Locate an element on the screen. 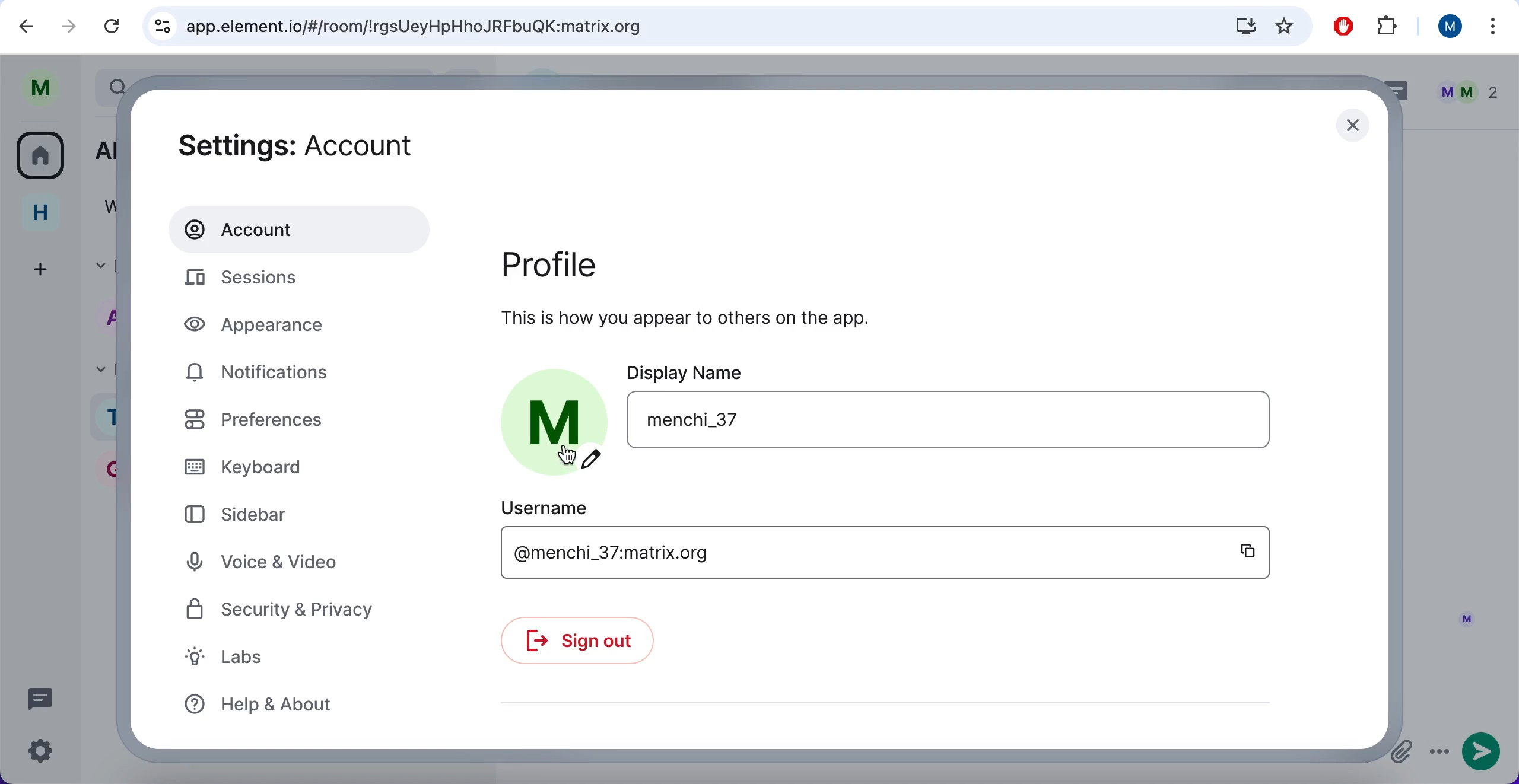 The width and height of the screenshot is (1519, 784). ad block is located at coordinates (1340, 26).